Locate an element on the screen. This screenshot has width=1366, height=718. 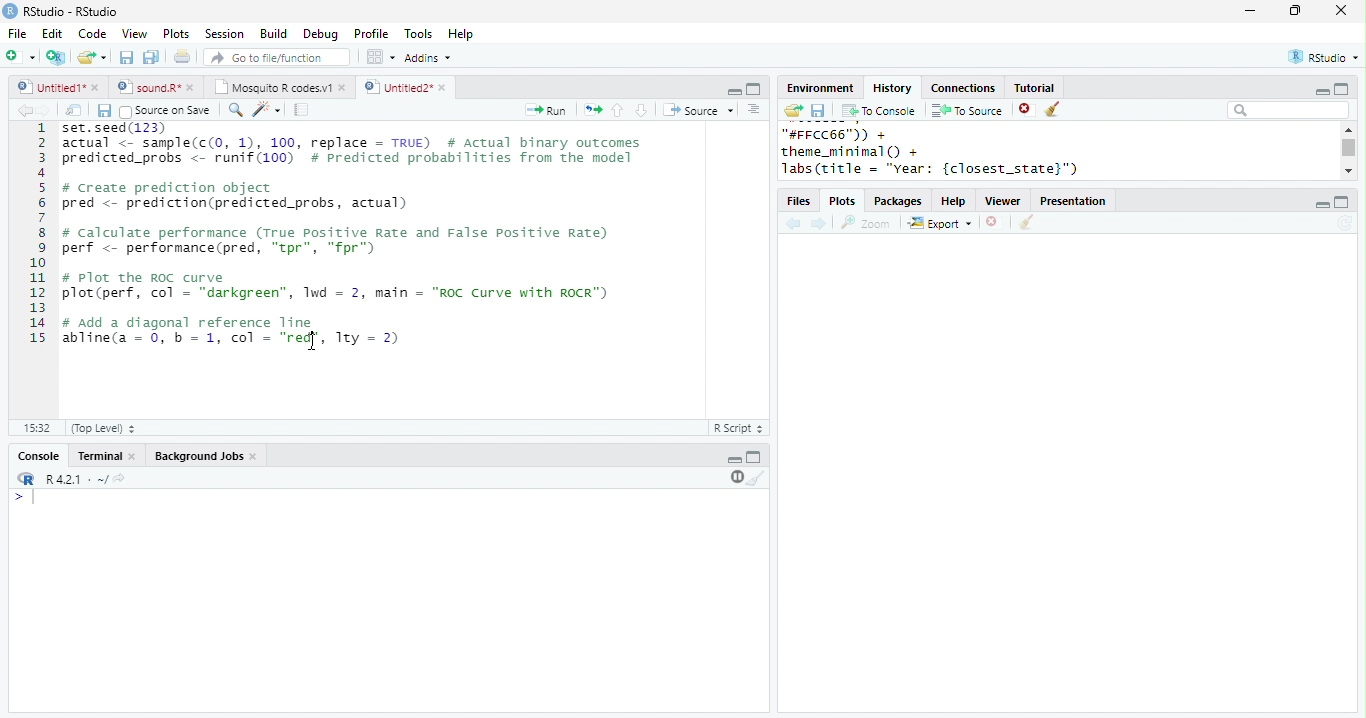
back is located at coordinates (793, 225).